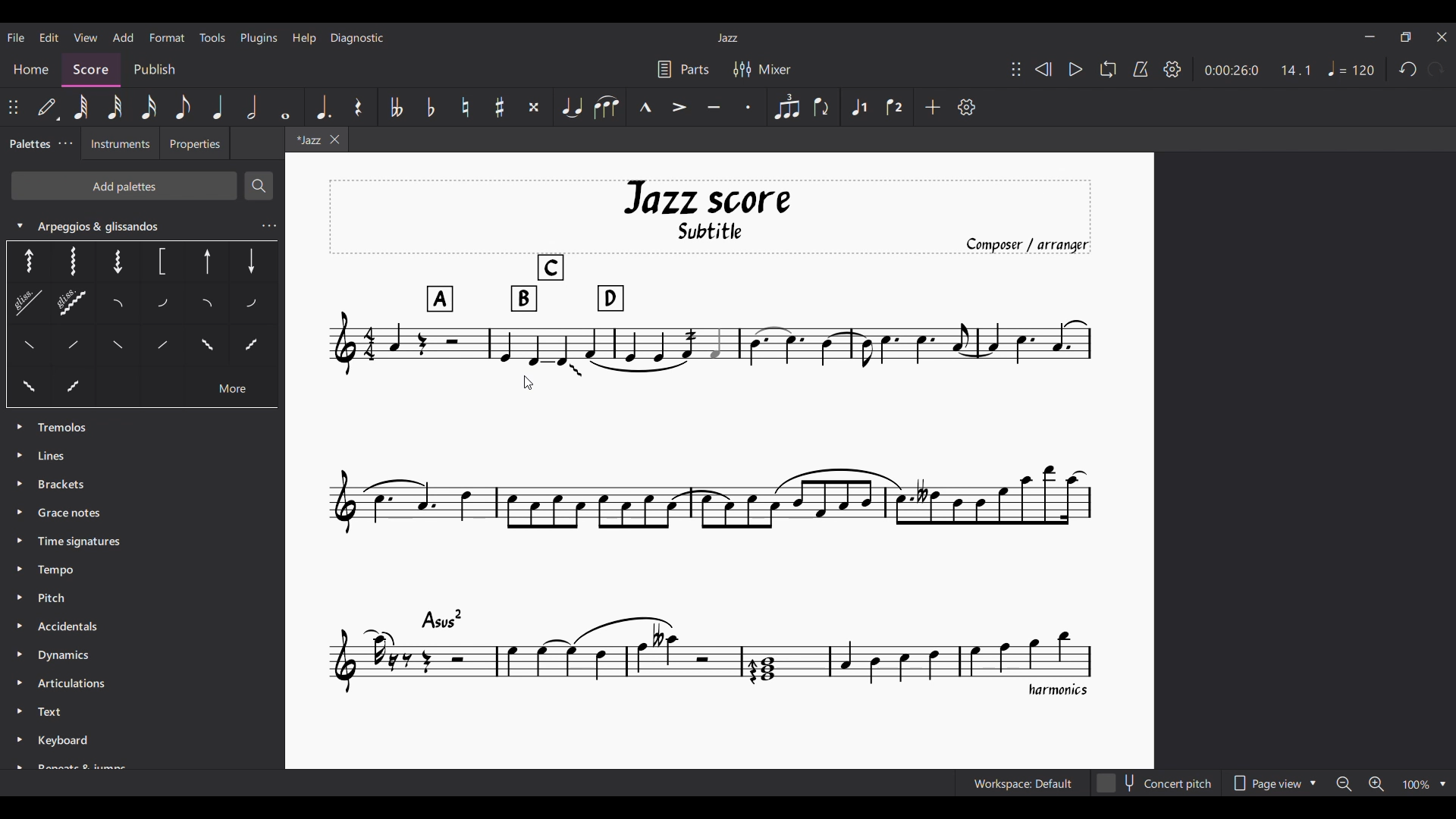 Image resolution: width=1456 pixels, height=819 pixels. I want to click on Parts settings, so click(683, 69).